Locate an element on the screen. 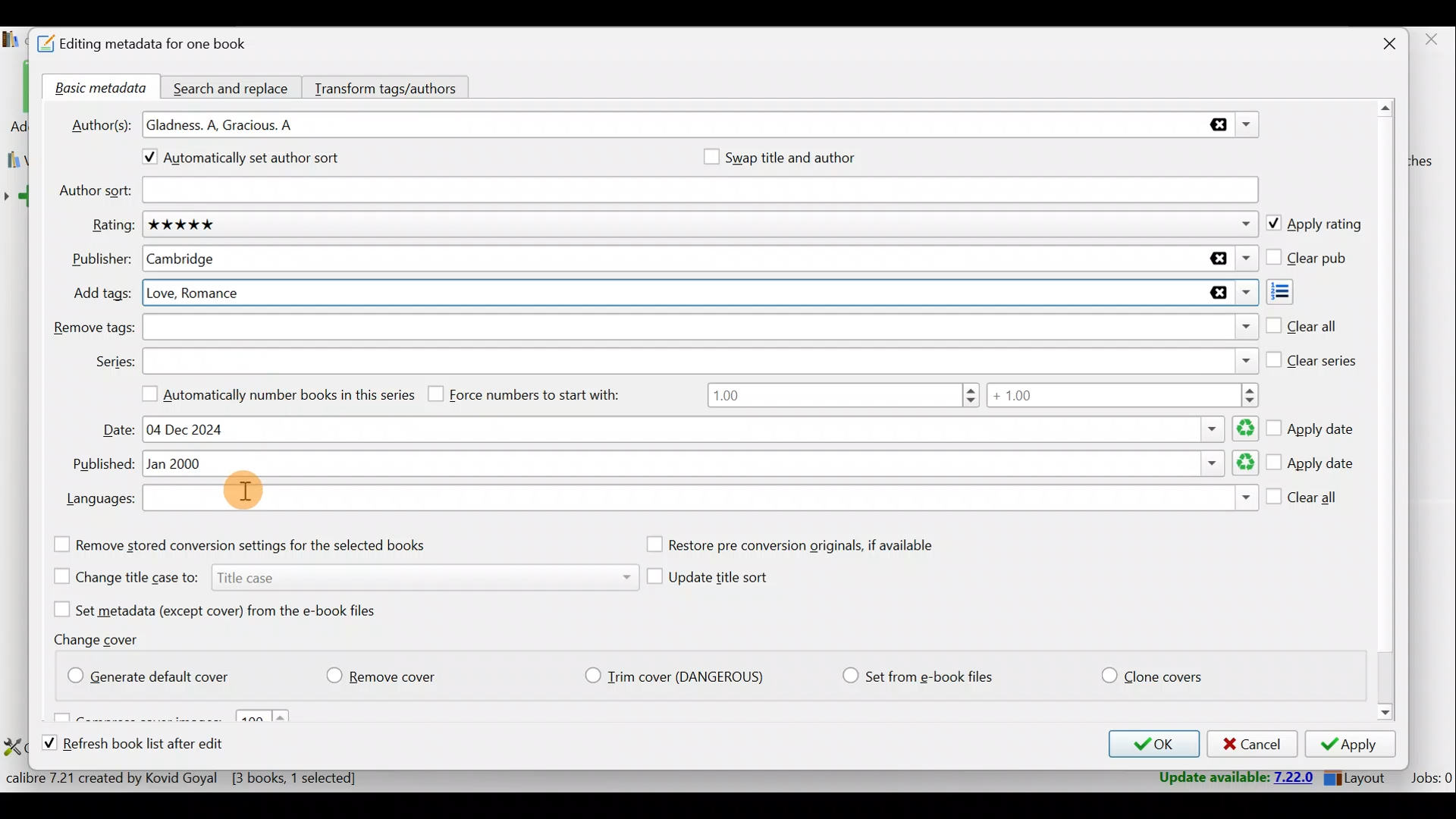 This screenshot has width=1456, height=819. Clone covers is located at coordinates (1149, 673).